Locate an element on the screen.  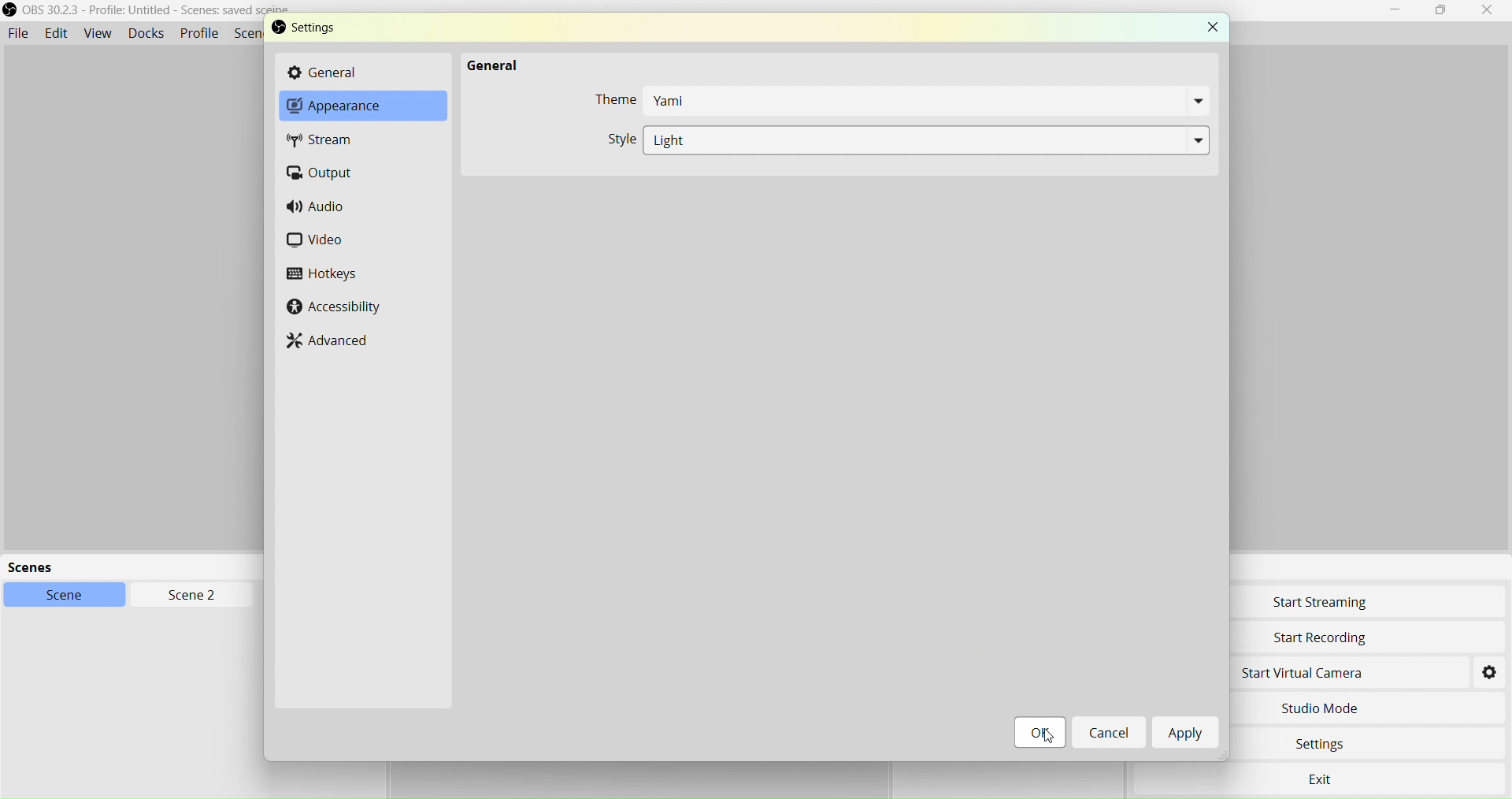
View is located at coordinates (95, 32).